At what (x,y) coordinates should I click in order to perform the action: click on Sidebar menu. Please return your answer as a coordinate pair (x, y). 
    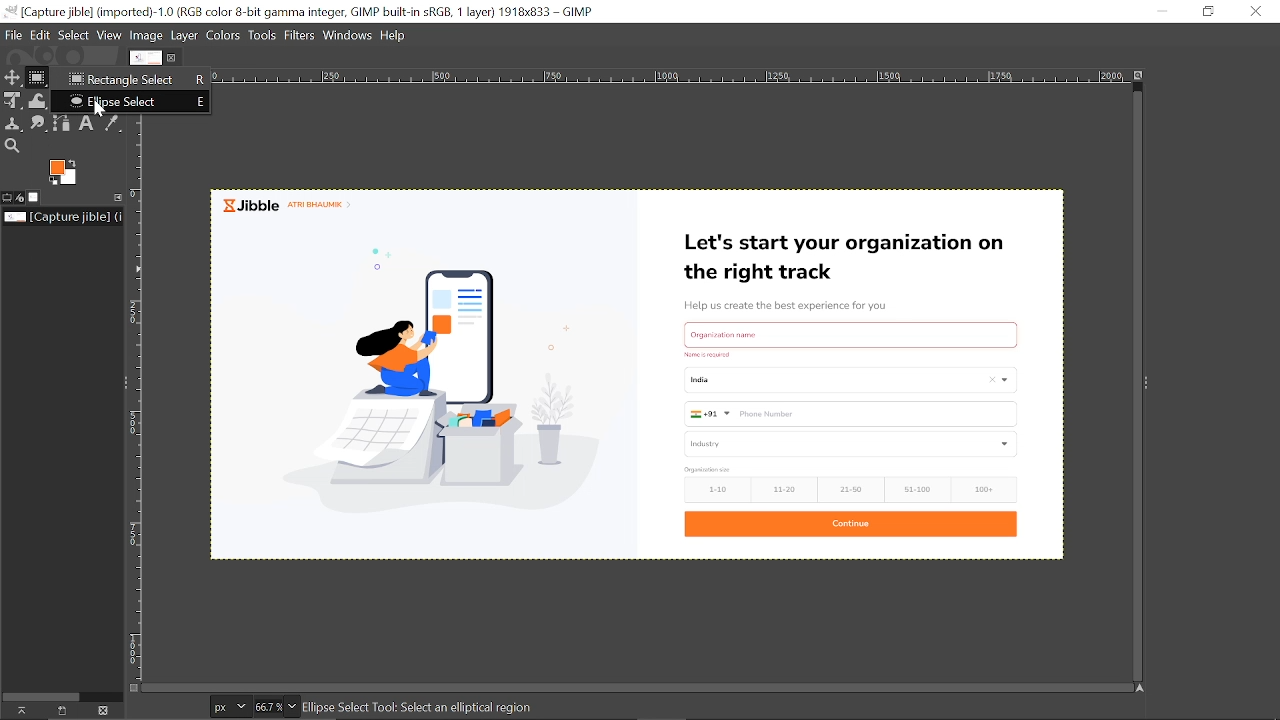
    Looking at the image, I should click on (120, 381).